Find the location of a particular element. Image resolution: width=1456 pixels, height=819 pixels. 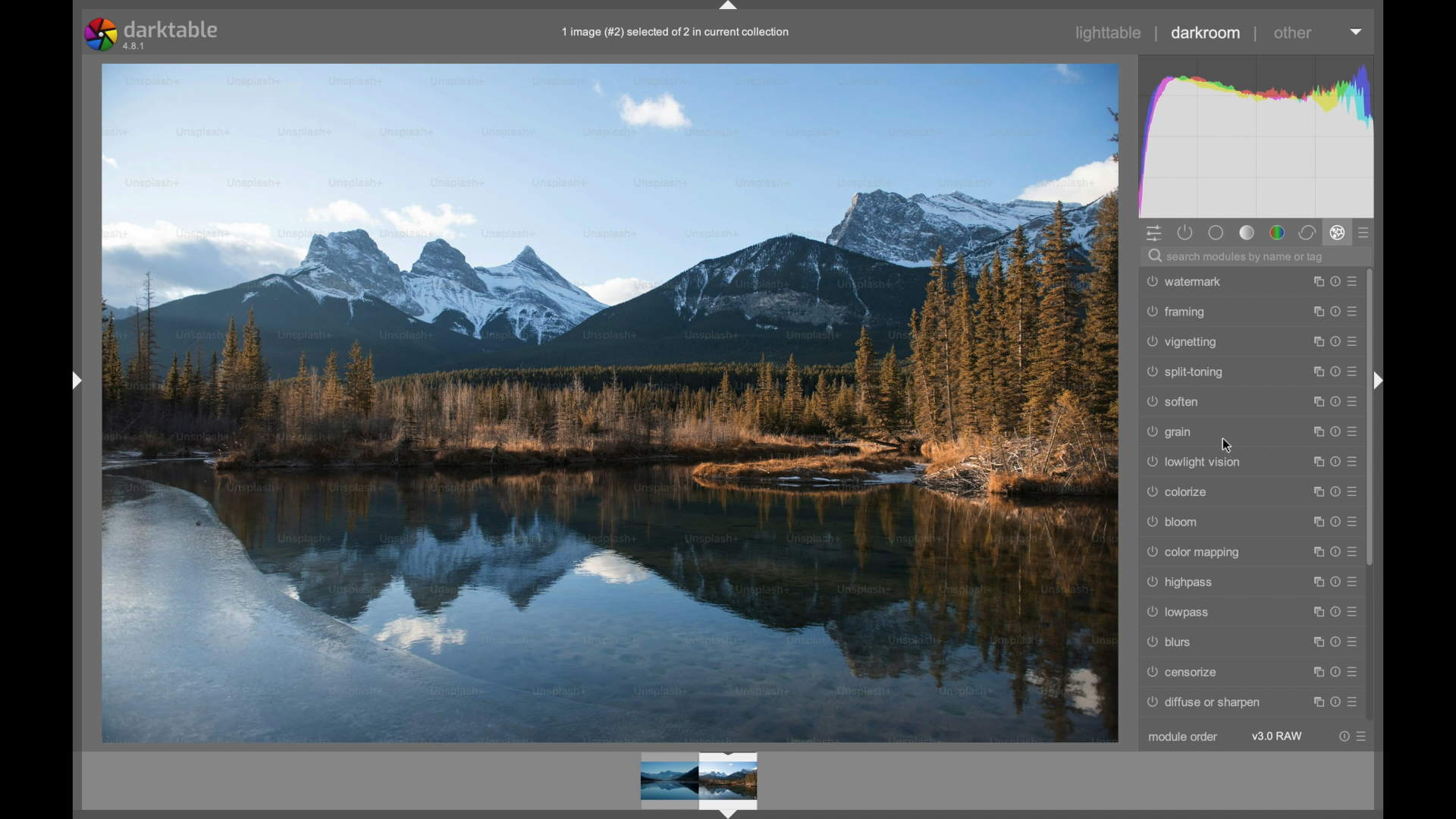

instance is located at coordinates (1314, 582).